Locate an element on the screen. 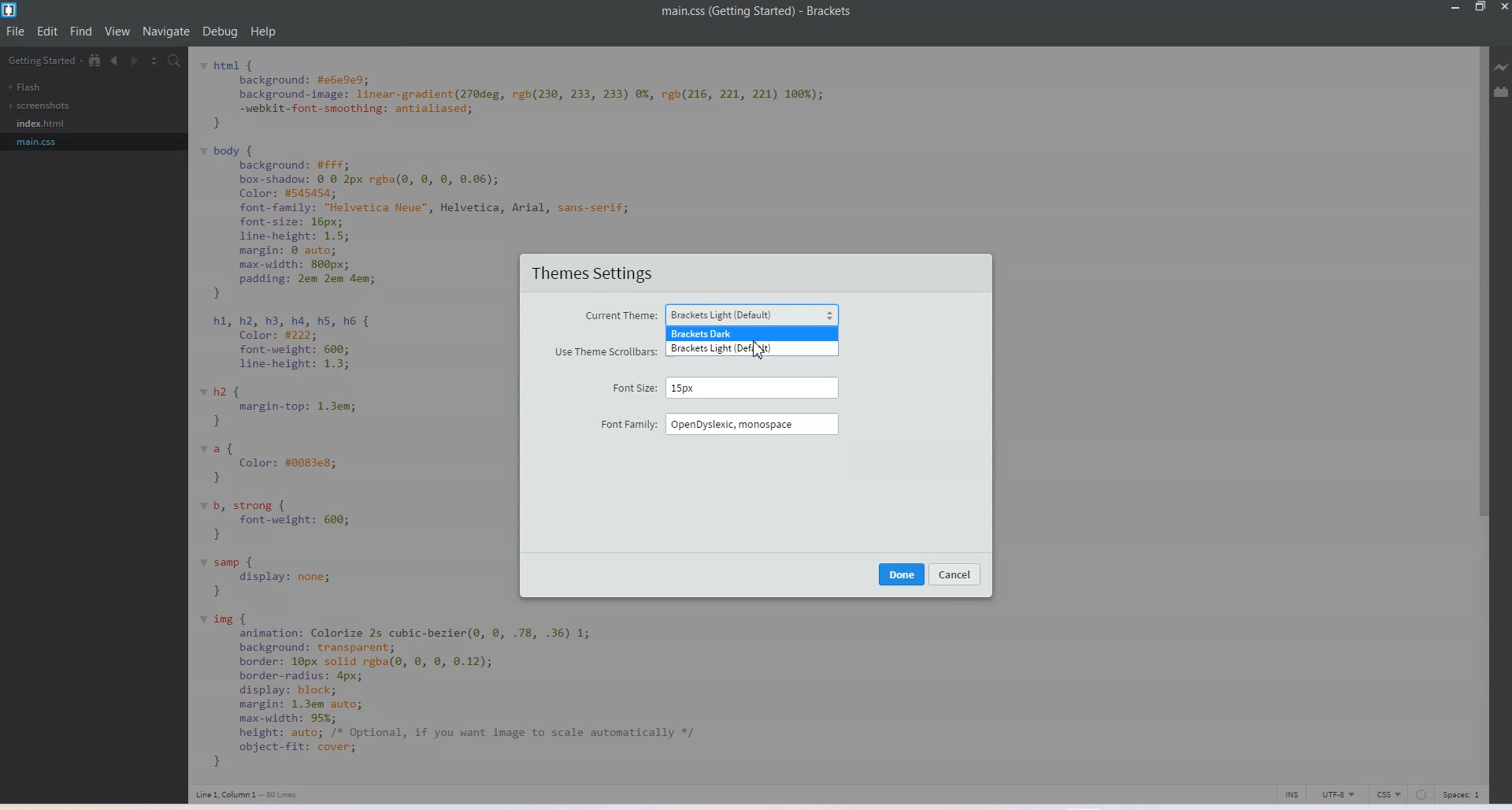 Image resolution: width=1512 pixels, height=810 pixels. cursor on Brackets Light (Default) is located at coordinates (759, 350).